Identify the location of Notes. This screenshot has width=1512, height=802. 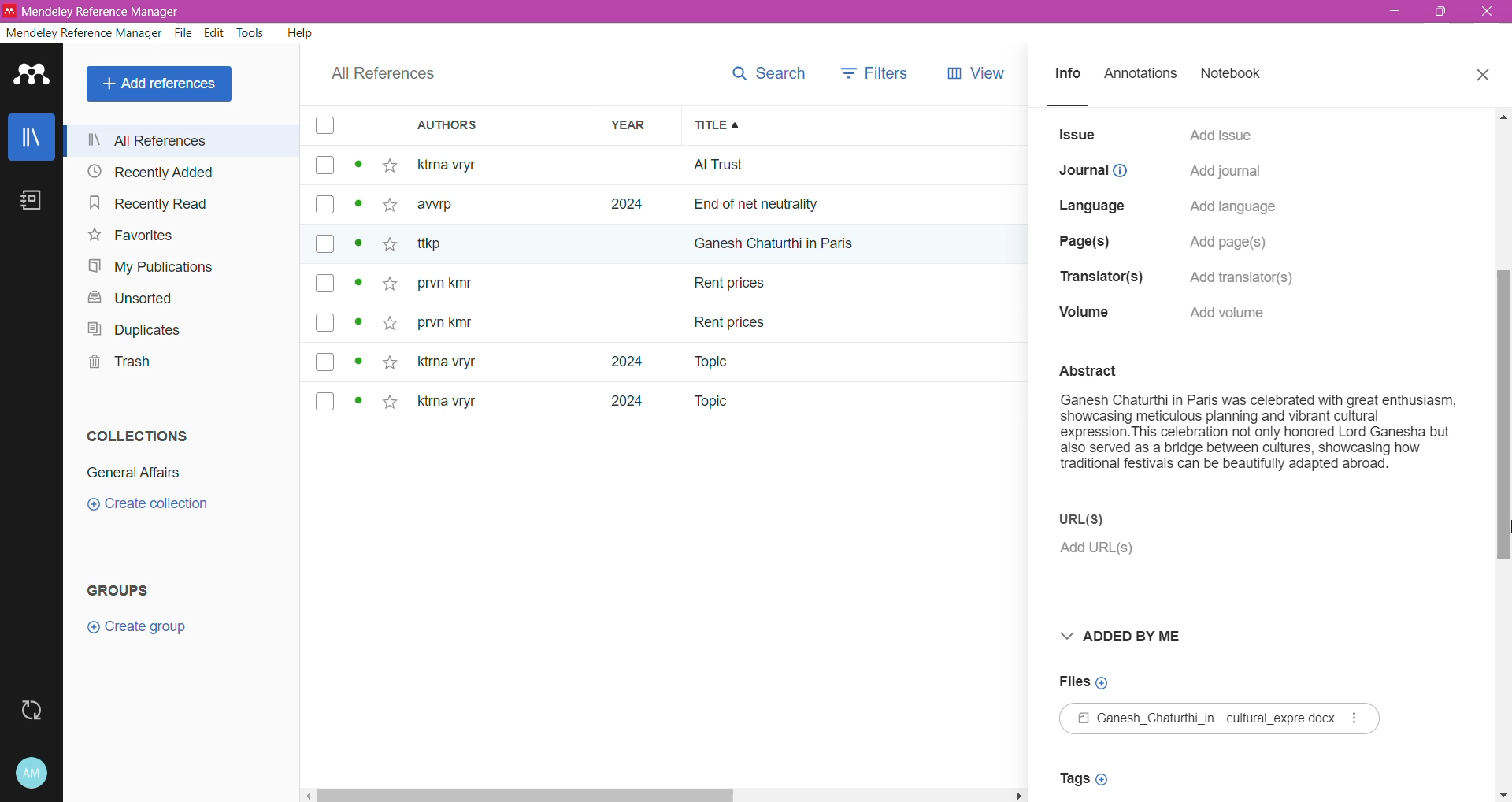
(29, 200).